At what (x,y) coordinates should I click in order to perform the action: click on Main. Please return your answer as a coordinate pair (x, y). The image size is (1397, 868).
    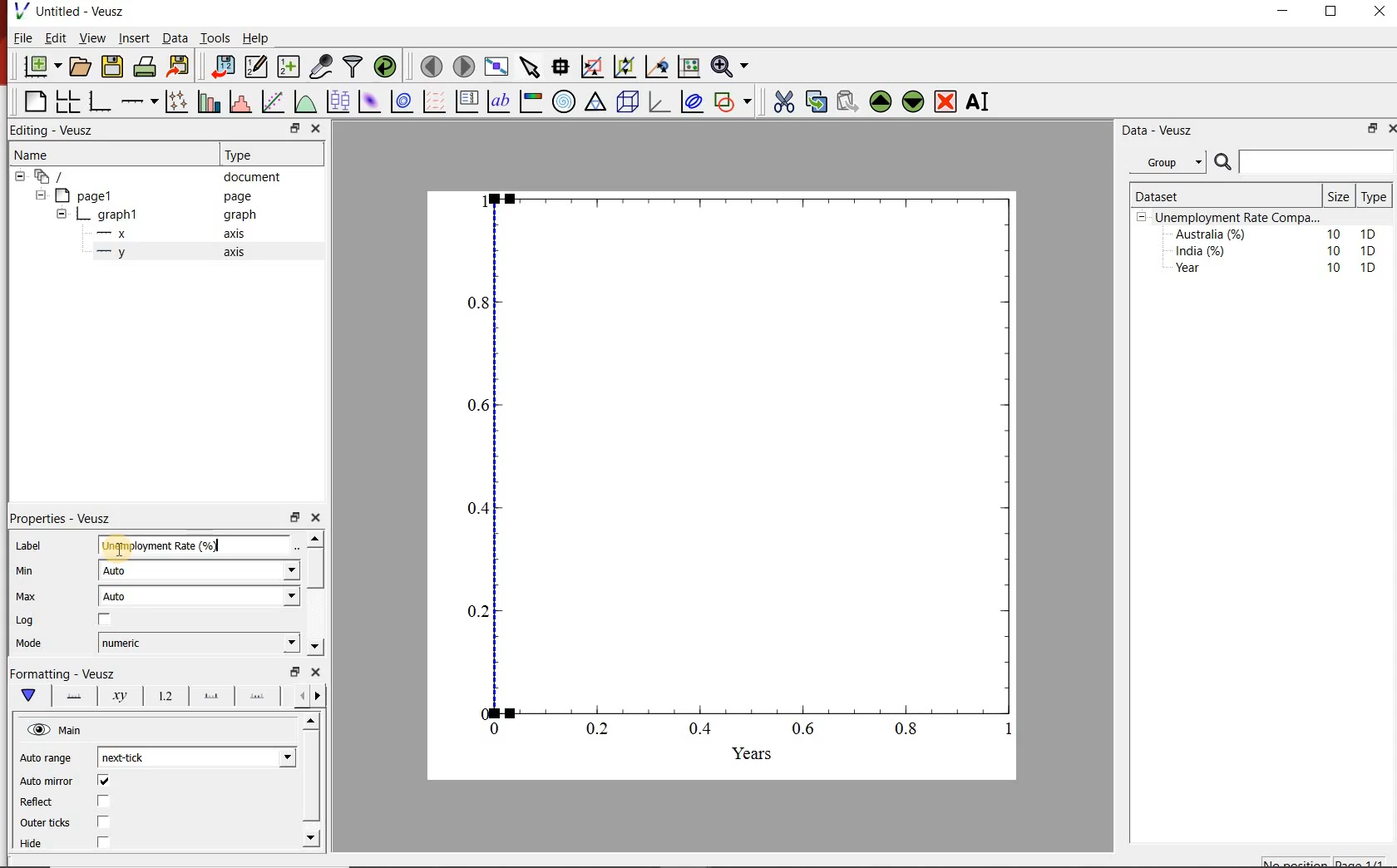
    Looking at the image, I should click on (72, 731).